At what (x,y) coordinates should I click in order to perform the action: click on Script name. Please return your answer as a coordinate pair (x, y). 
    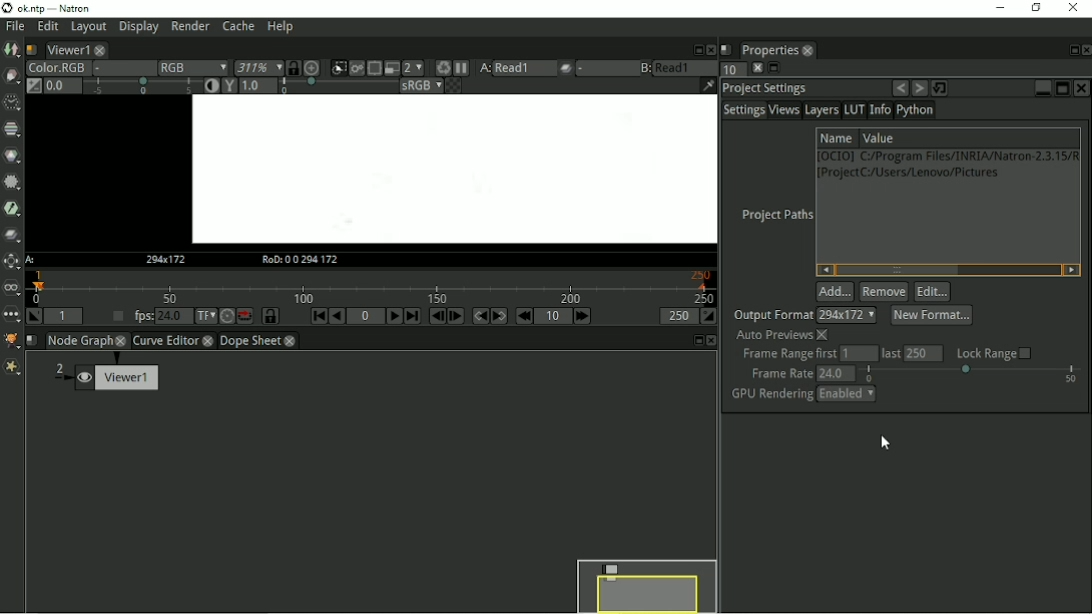
    Looking at the image, I should click on (727, 51).